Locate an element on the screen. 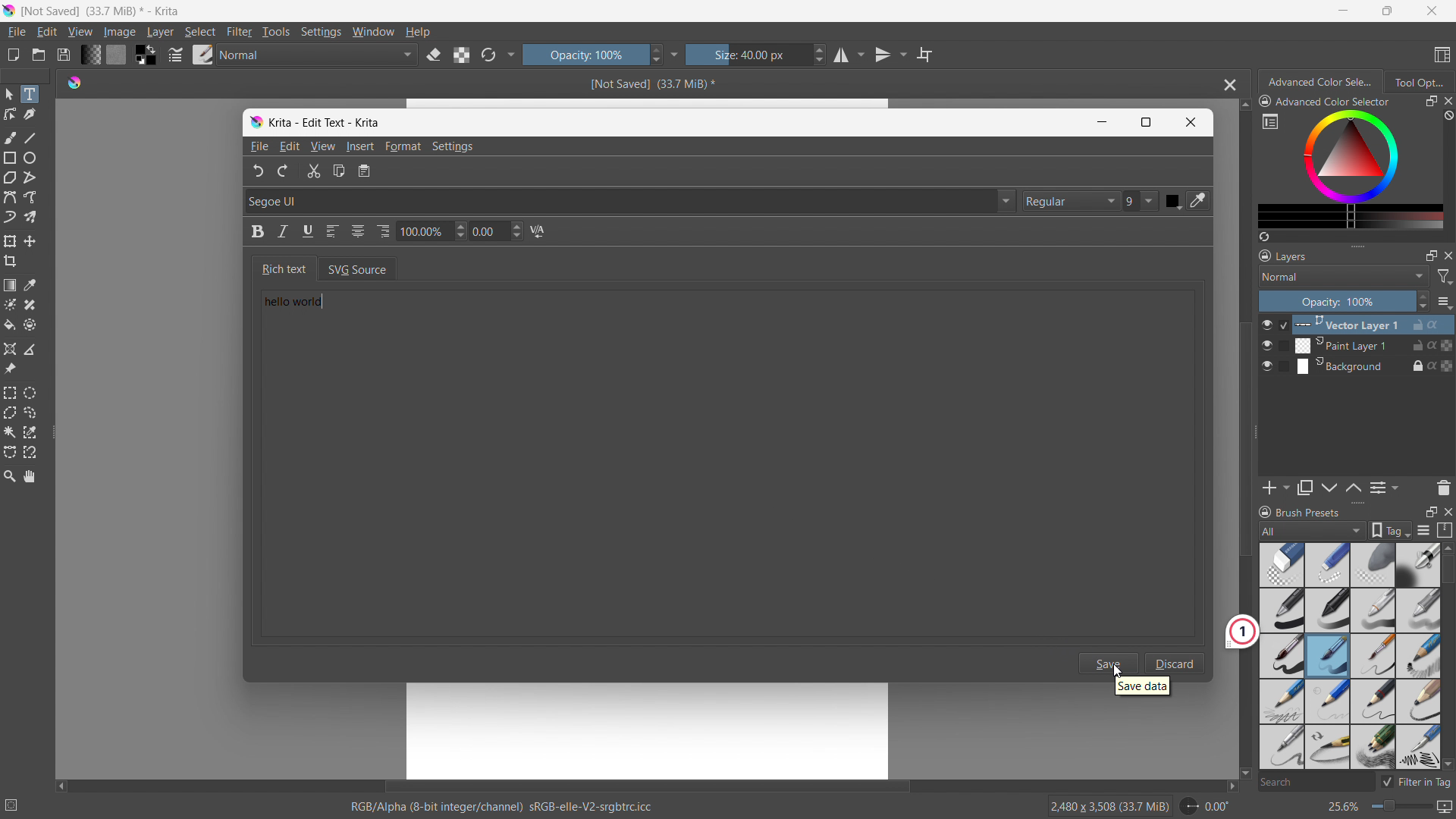 This screenshot has height=819, width=1456. choose workspace is located at coordinates (1442, 55).